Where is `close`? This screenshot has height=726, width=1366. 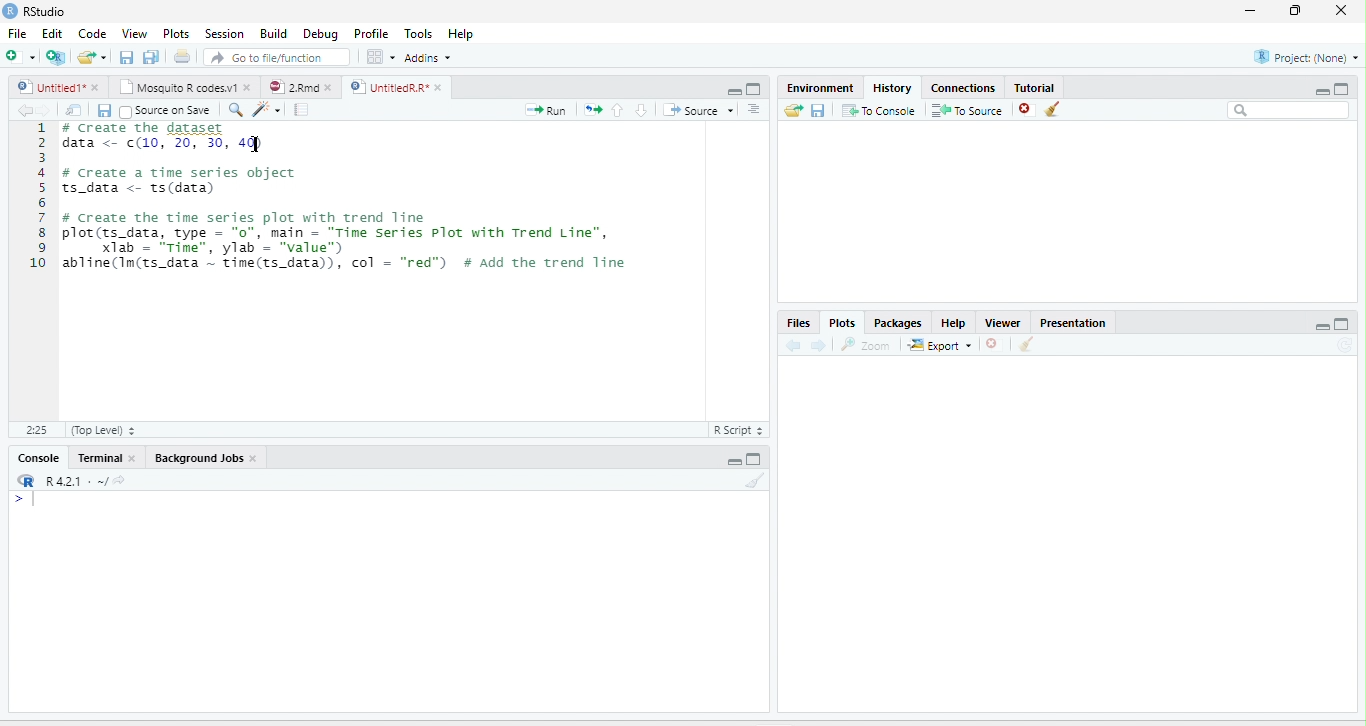
close is located at coordinates (248, 87).